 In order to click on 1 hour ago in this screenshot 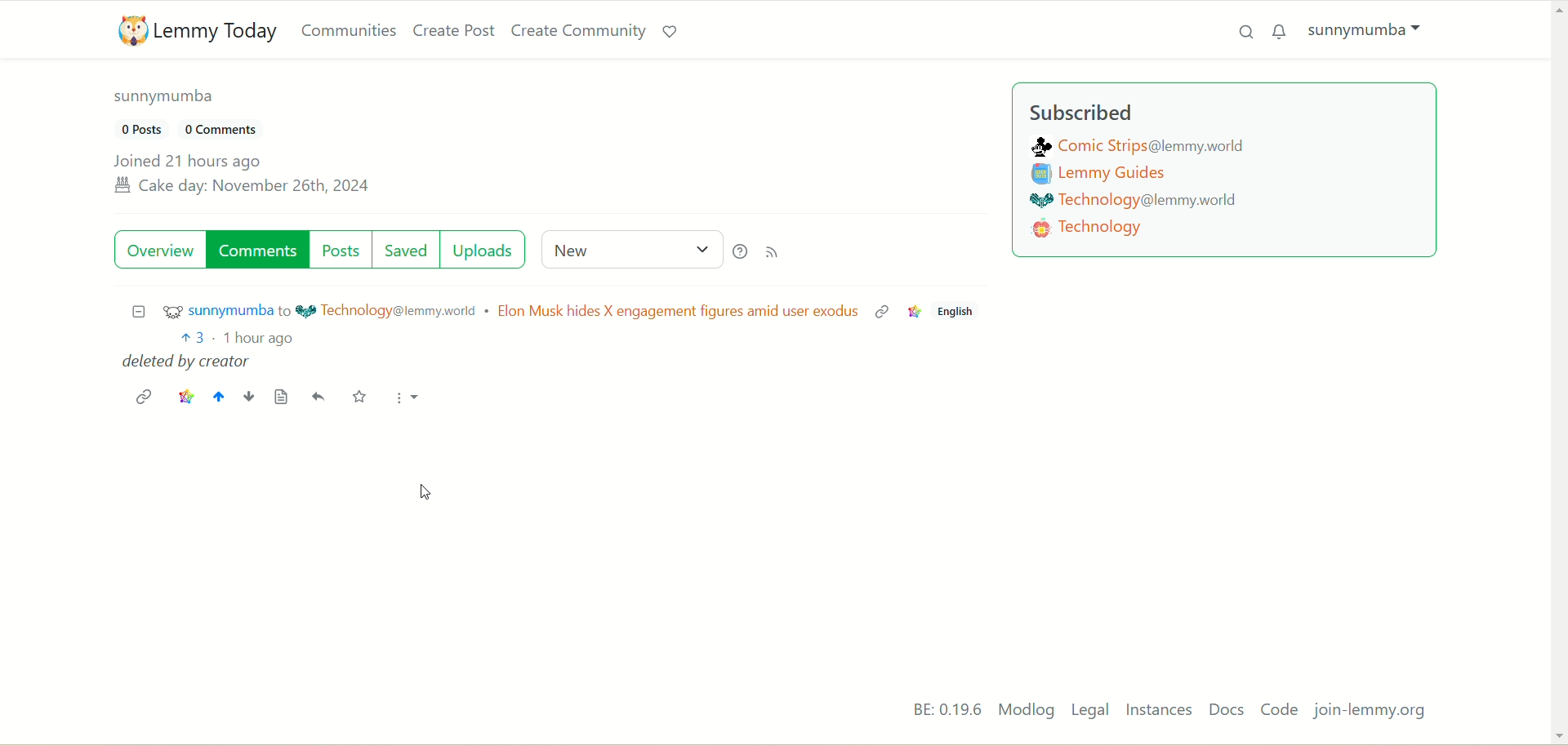, I will do `click(263, 337)`.